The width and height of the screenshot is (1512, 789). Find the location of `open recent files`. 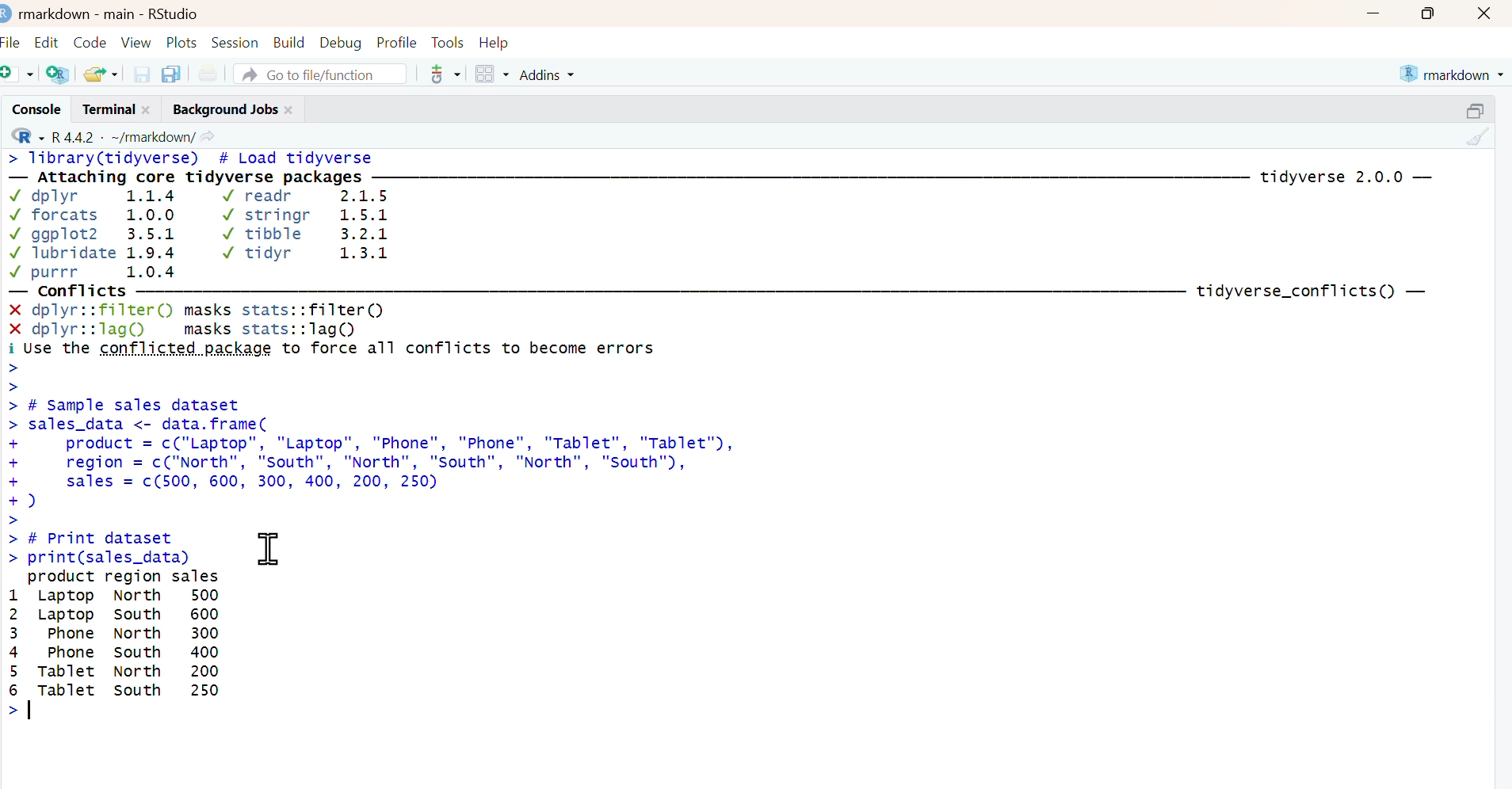

open recent files is located at coordinates (101, 72).